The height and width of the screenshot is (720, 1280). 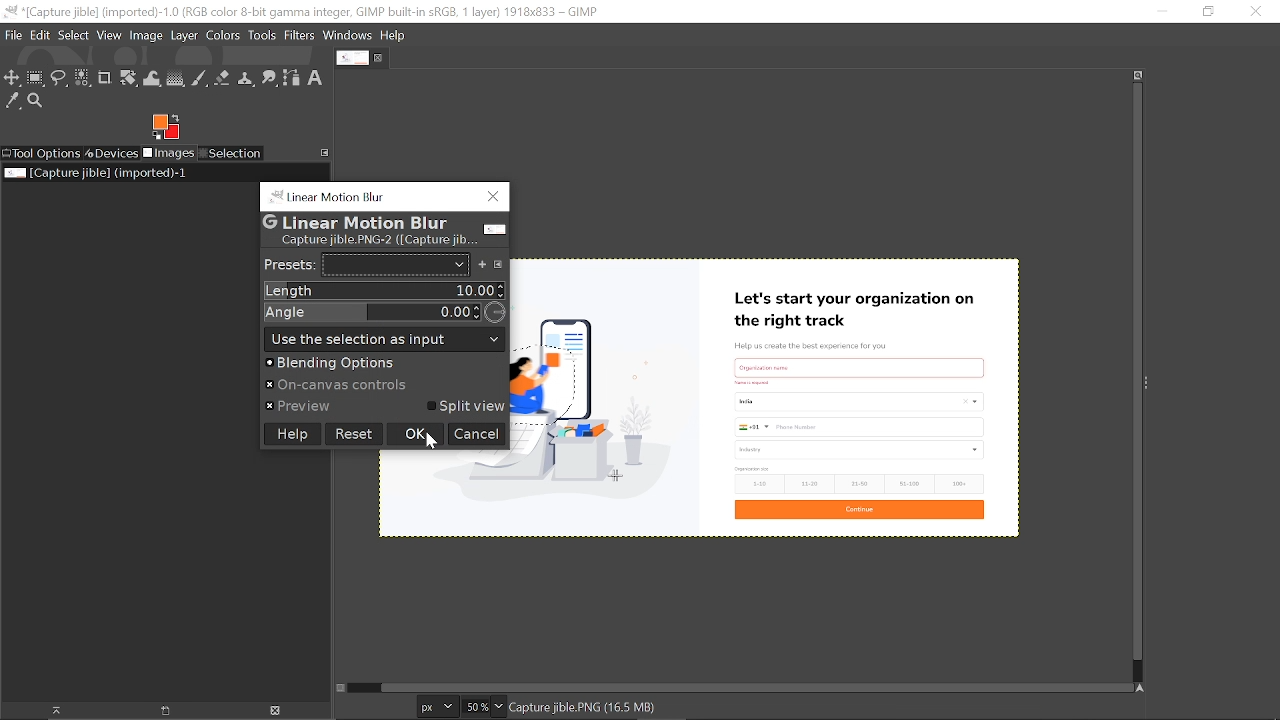 What do you see at coordinates (110, 35) in the screenshot?
I see `View` at bounding box center [110, 35].